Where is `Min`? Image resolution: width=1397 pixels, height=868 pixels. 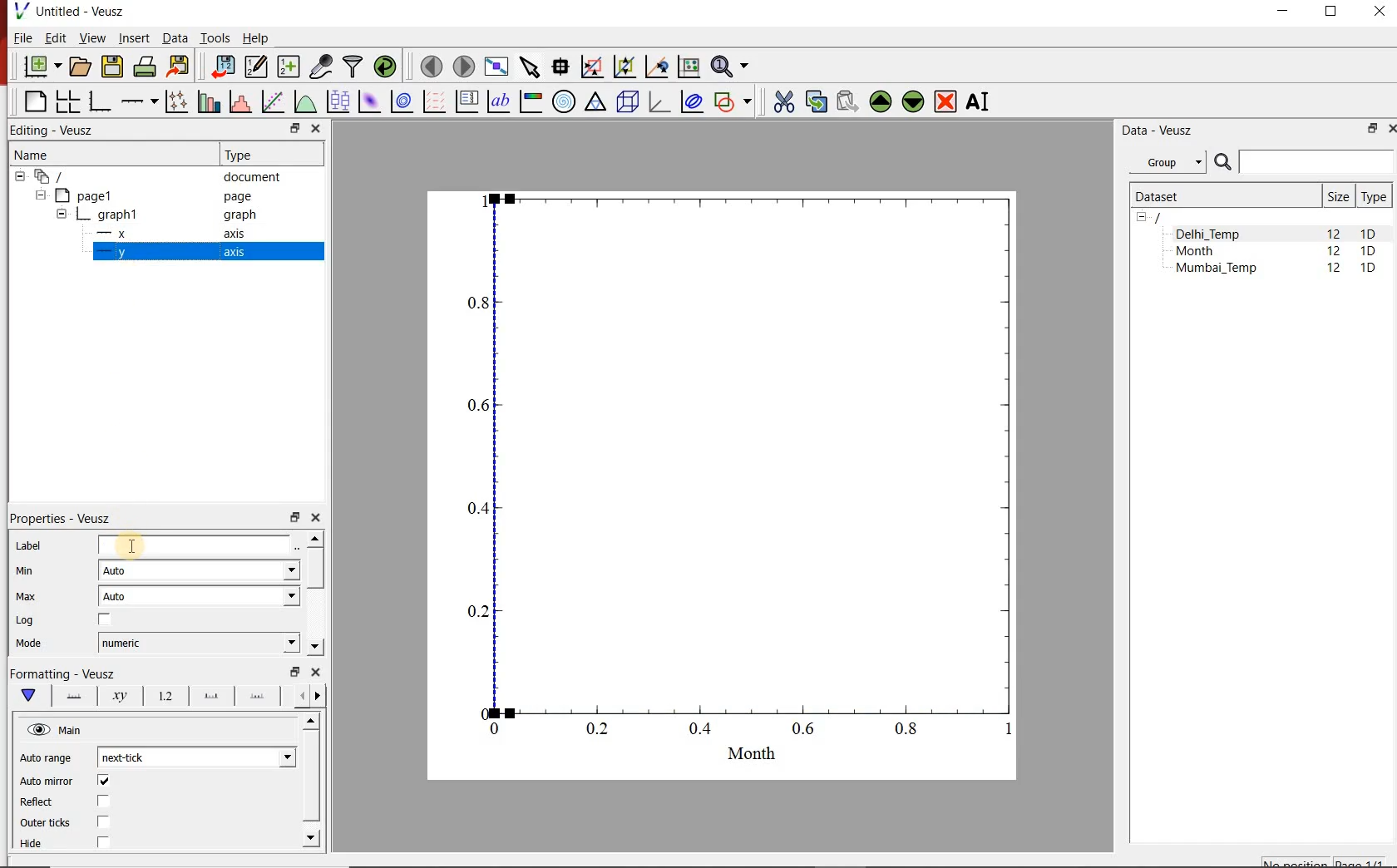
Min is located at coordinates (23, 571).